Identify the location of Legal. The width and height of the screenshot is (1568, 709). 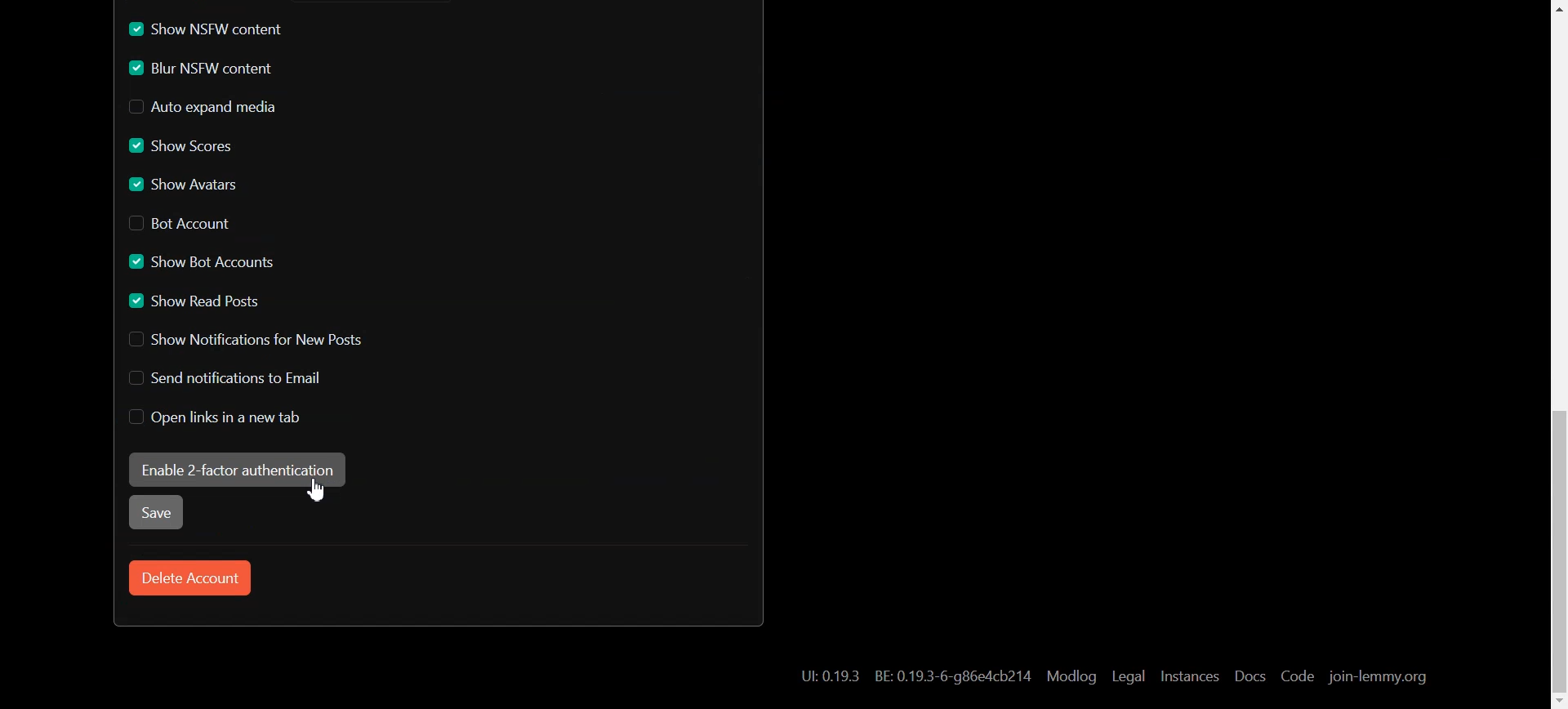
(1129, 676).